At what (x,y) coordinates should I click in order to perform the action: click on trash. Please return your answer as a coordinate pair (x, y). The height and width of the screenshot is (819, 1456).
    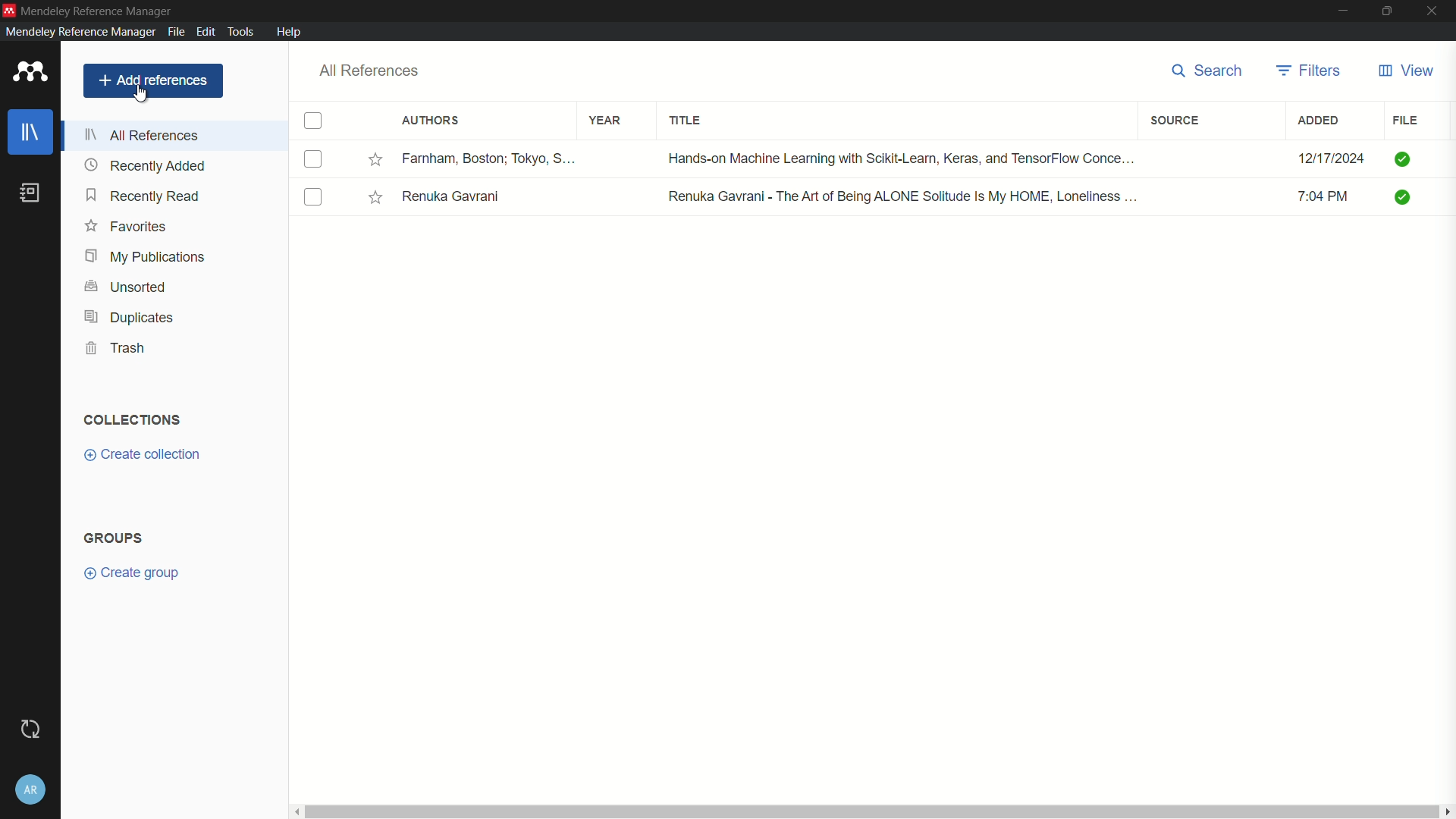
    Looking at the image, I should click on (116, 349).